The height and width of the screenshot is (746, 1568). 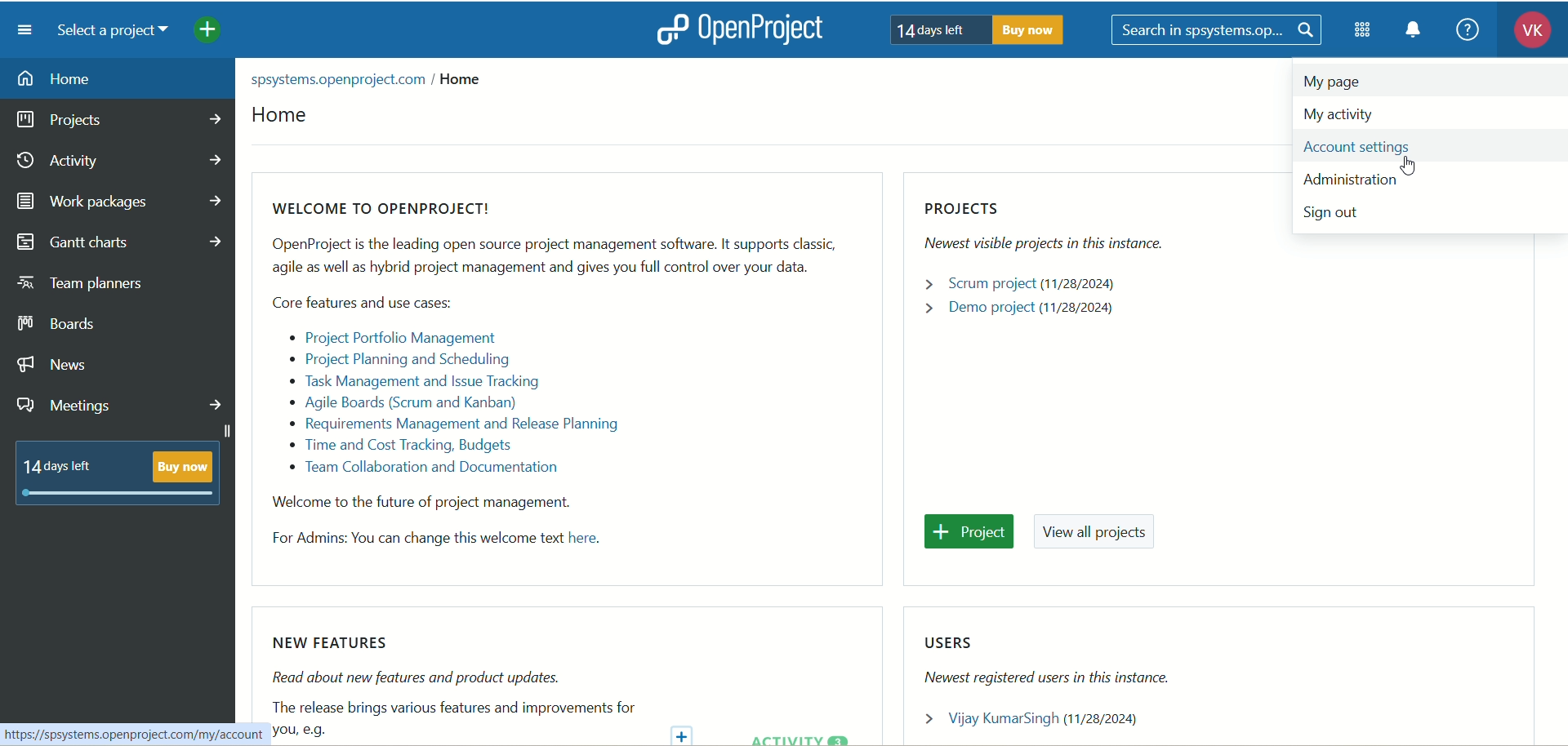 I want to click on activity, so click(x=119, y=164).